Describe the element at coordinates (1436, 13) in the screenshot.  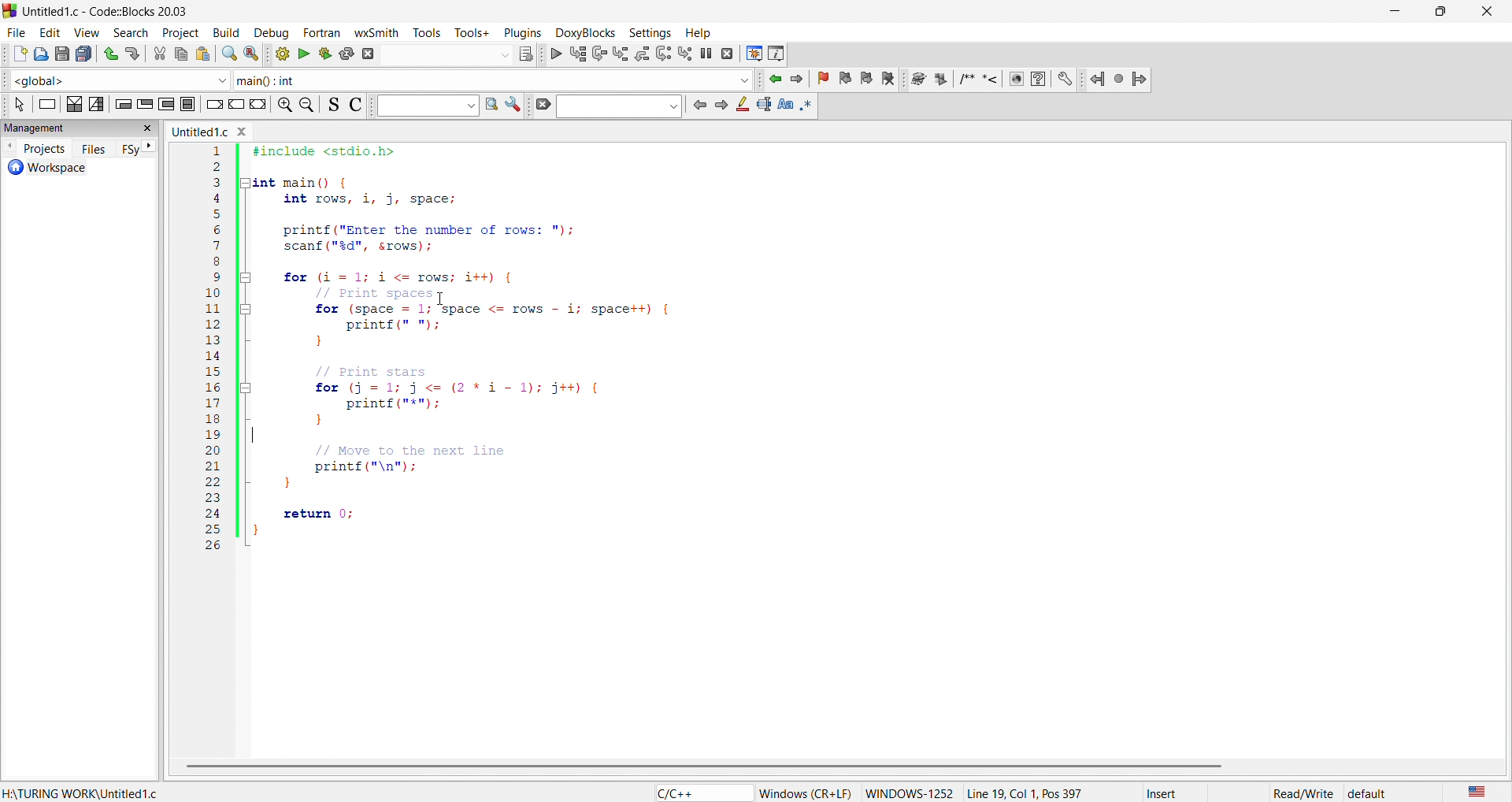
I see `maximize/restore` at that location.